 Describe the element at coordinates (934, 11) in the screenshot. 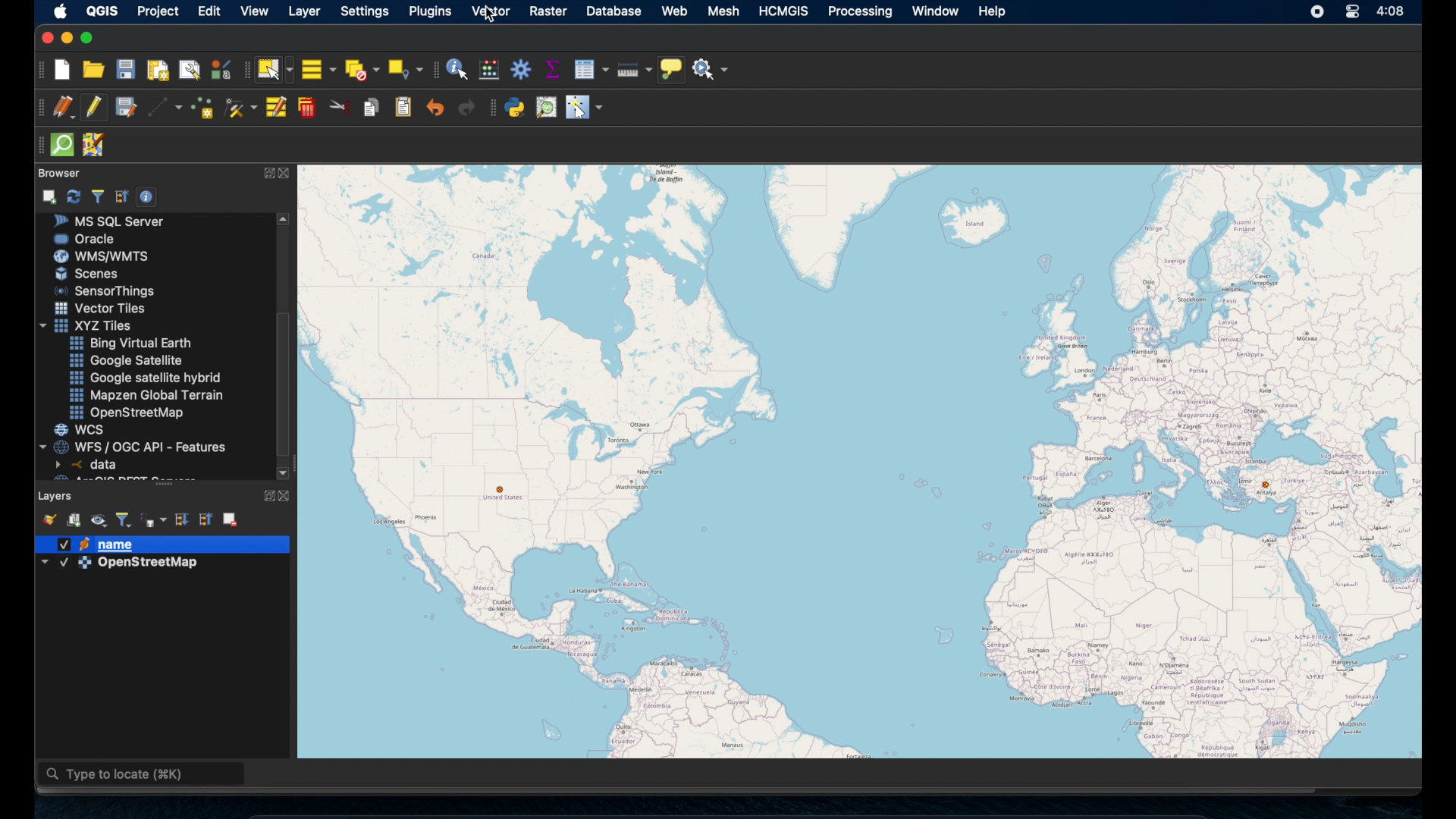

I see `window` at that location.